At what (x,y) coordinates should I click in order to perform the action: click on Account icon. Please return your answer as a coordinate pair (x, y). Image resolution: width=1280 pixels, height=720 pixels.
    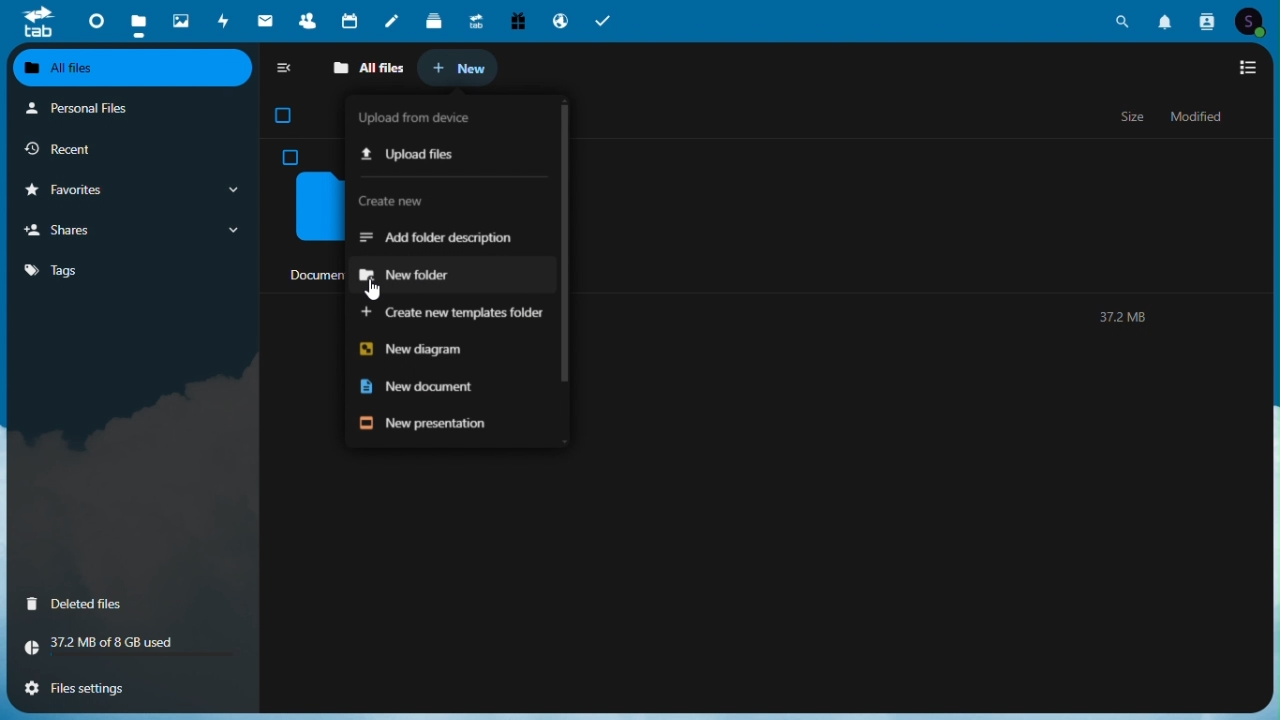
    Looking at the image, I should click on (1255, 20).